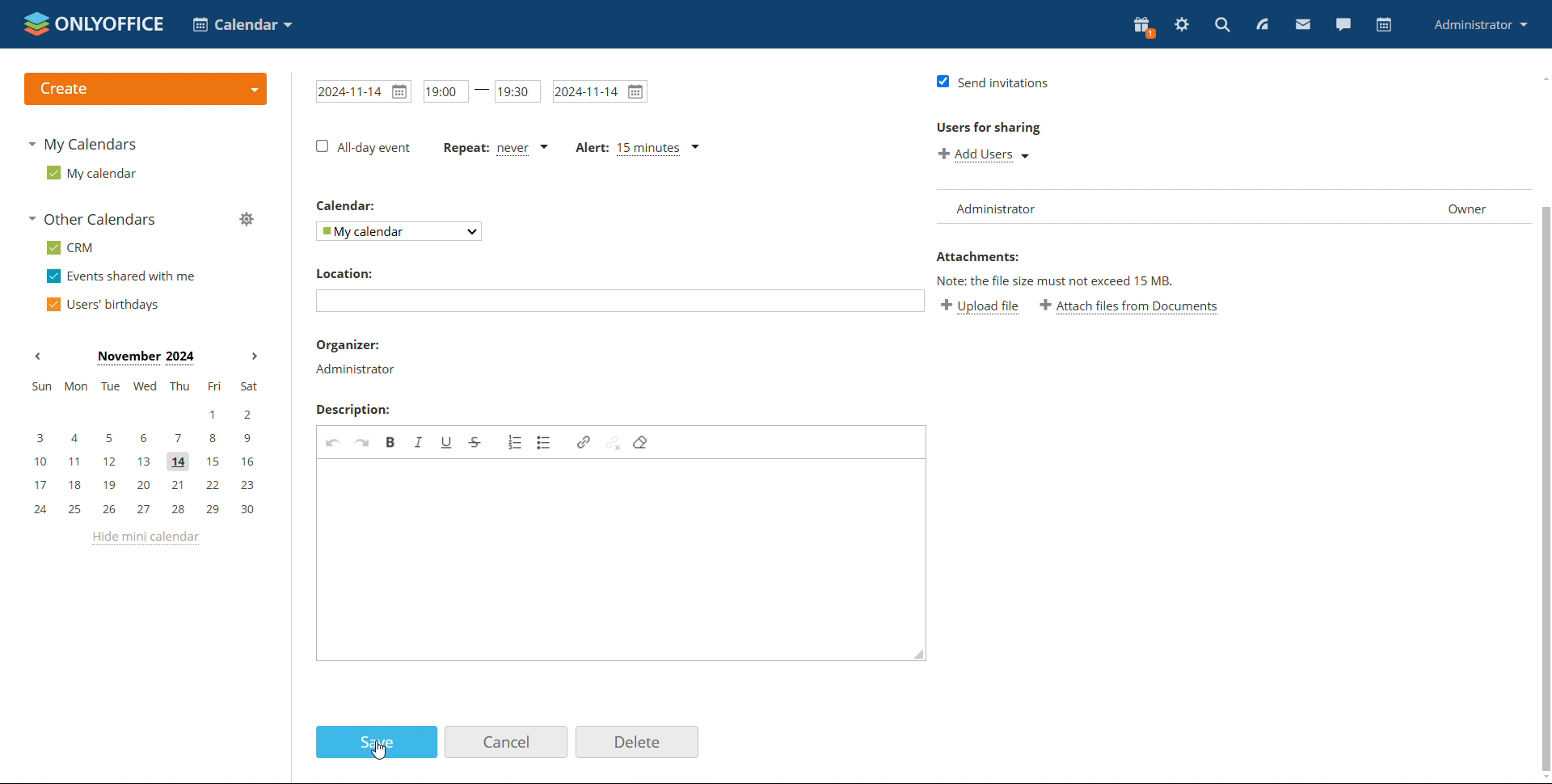 Image resolution: width=1552 pixels, height=784 pixels. I want to click on calendar, so click(363, 91).